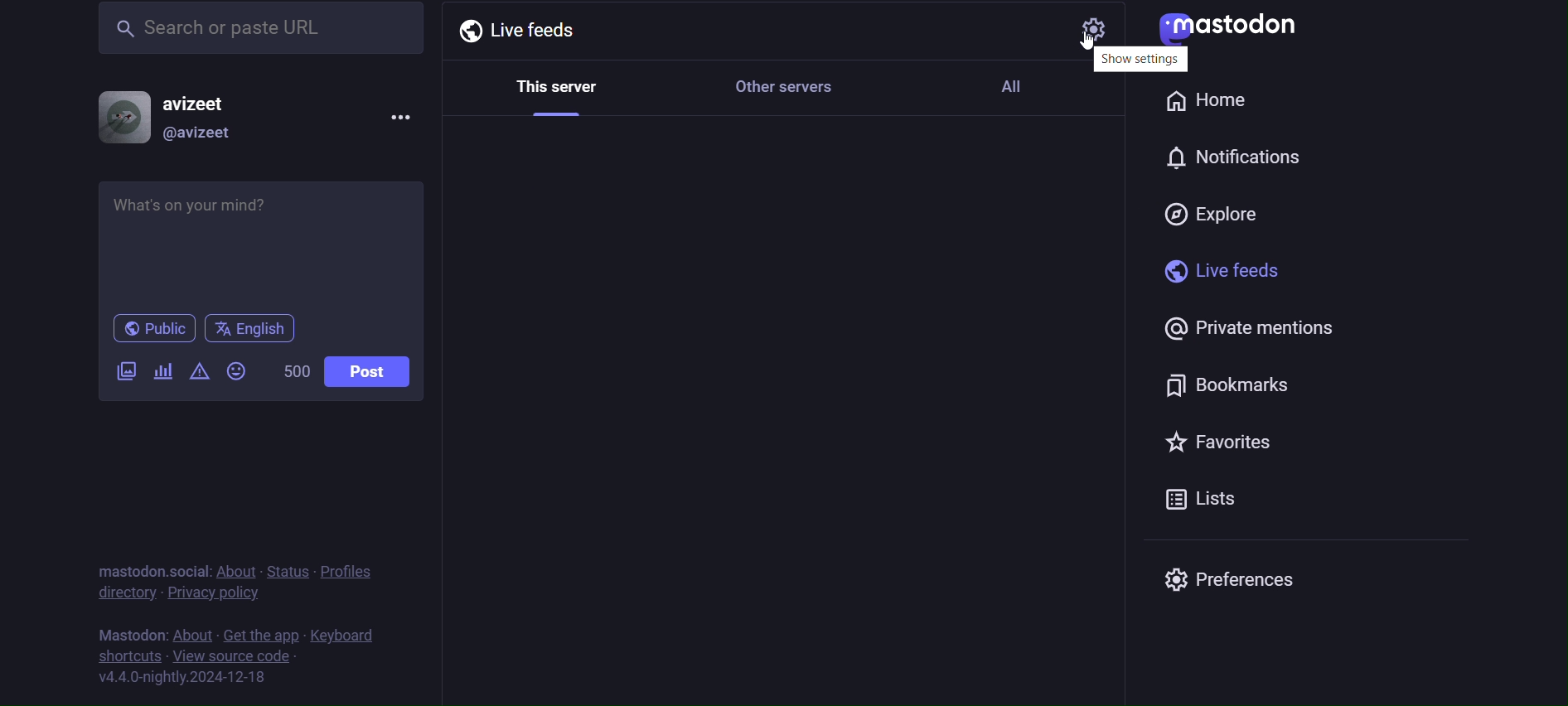 The width and height of the screenshot is (1568, 706). Describe the element at coordinates (405, 116) in the screenshot. I see `menu` at that location.